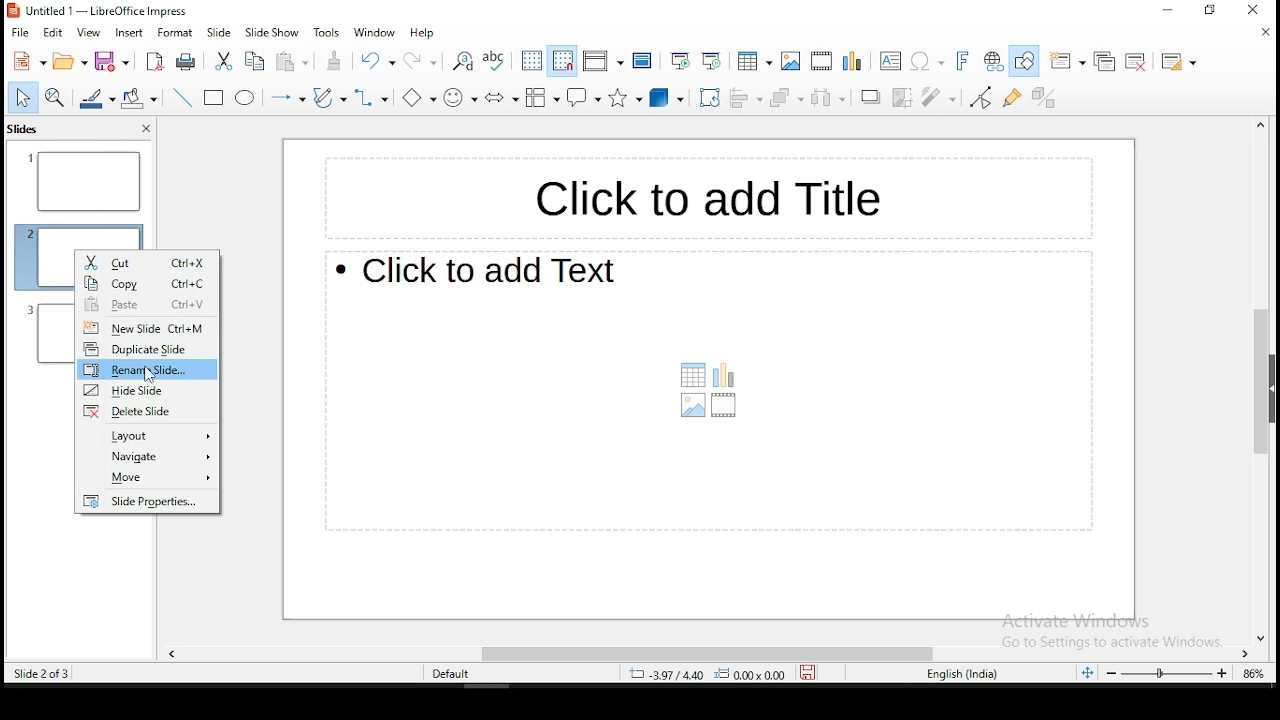  I want to click on layout, so click(147, 434).